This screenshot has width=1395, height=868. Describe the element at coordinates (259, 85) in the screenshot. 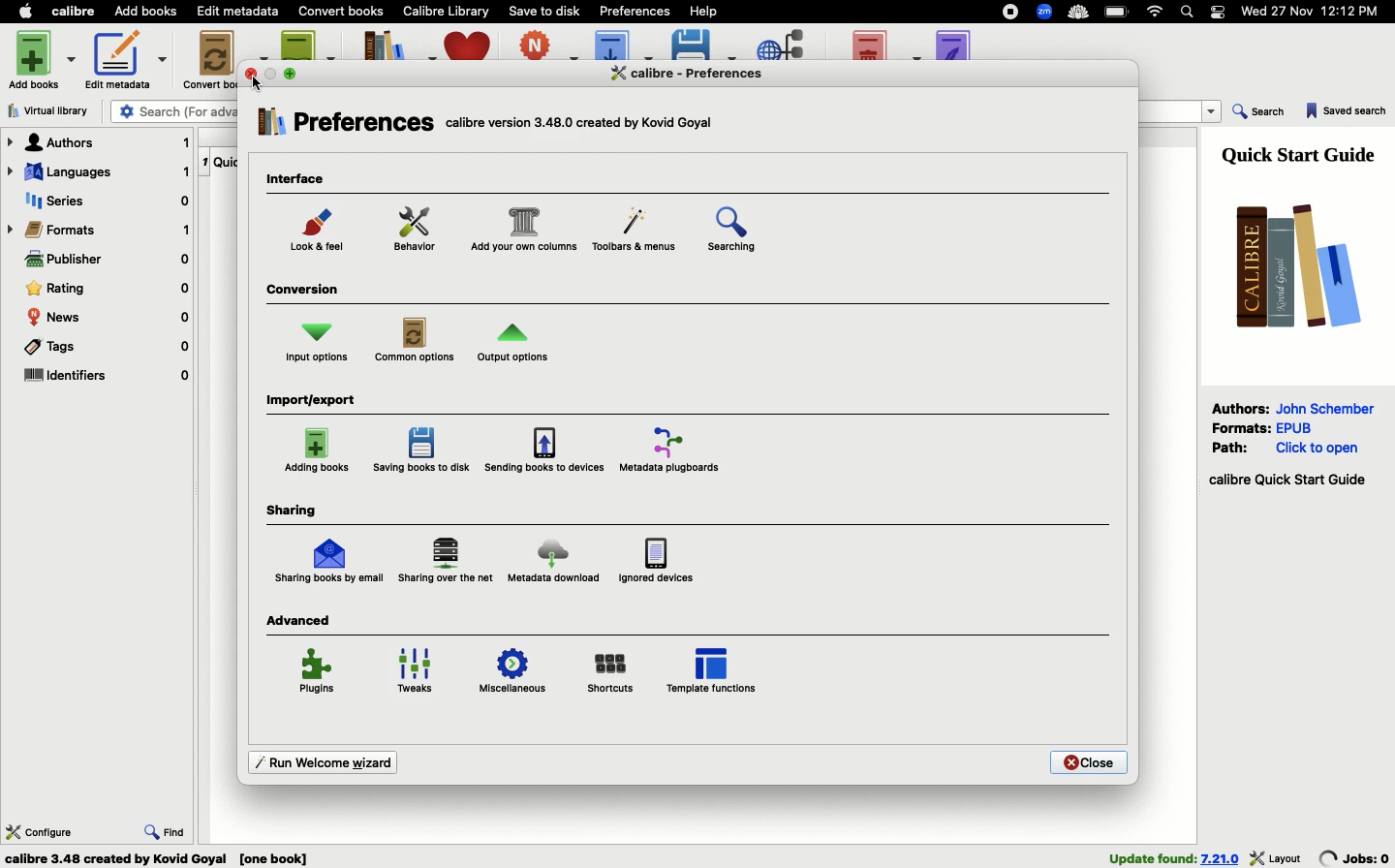

I see `cursor` at that location.